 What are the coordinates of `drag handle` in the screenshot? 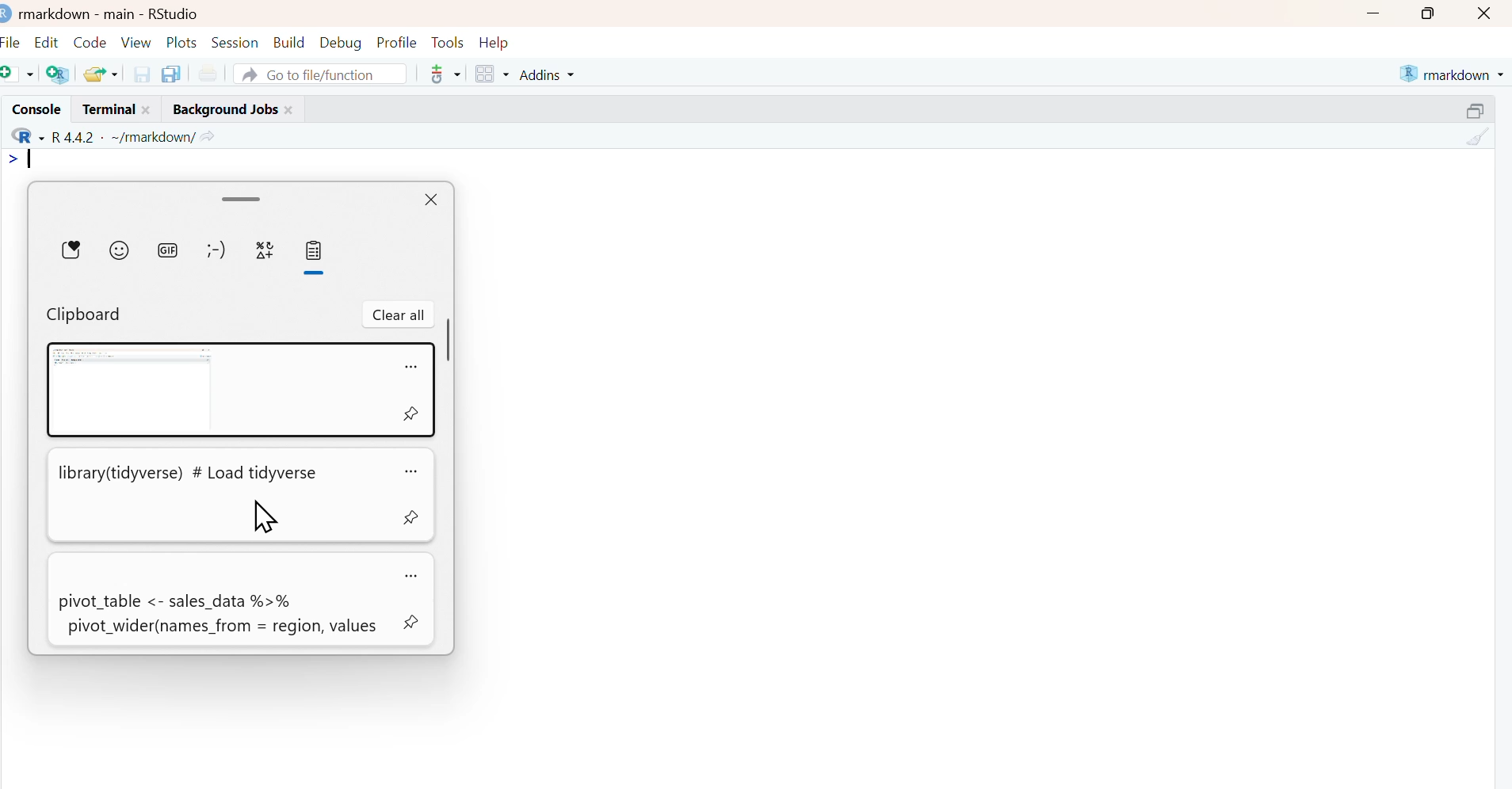 It's located at (243, 196).